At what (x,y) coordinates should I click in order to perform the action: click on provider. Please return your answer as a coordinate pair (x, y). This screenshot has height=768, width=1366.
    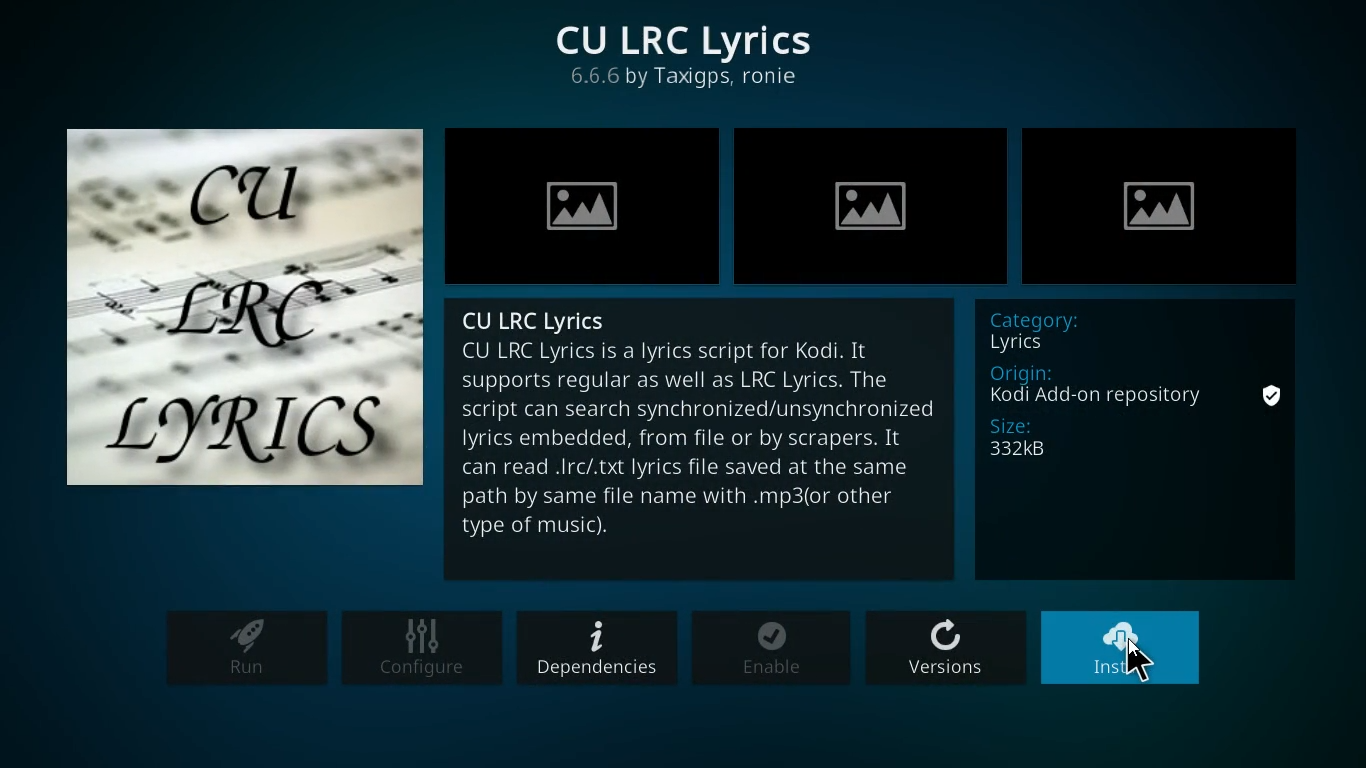
    Looking at the image, I should click on (683, 82).